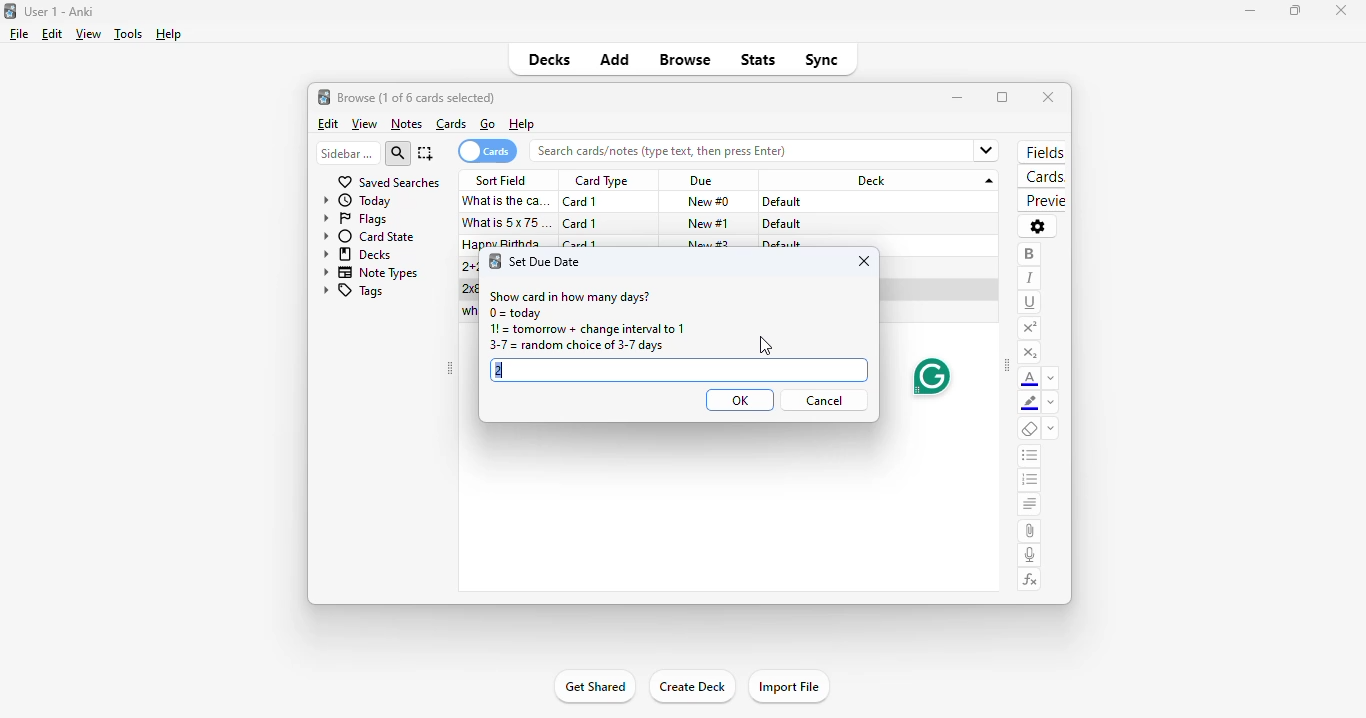 Image resolution: width=1366 pixels, height=718 pixels. Describe the element at coordinates (417, 97) in the screenshot. I see `browse (1 of 6 cards selected)` at that location.